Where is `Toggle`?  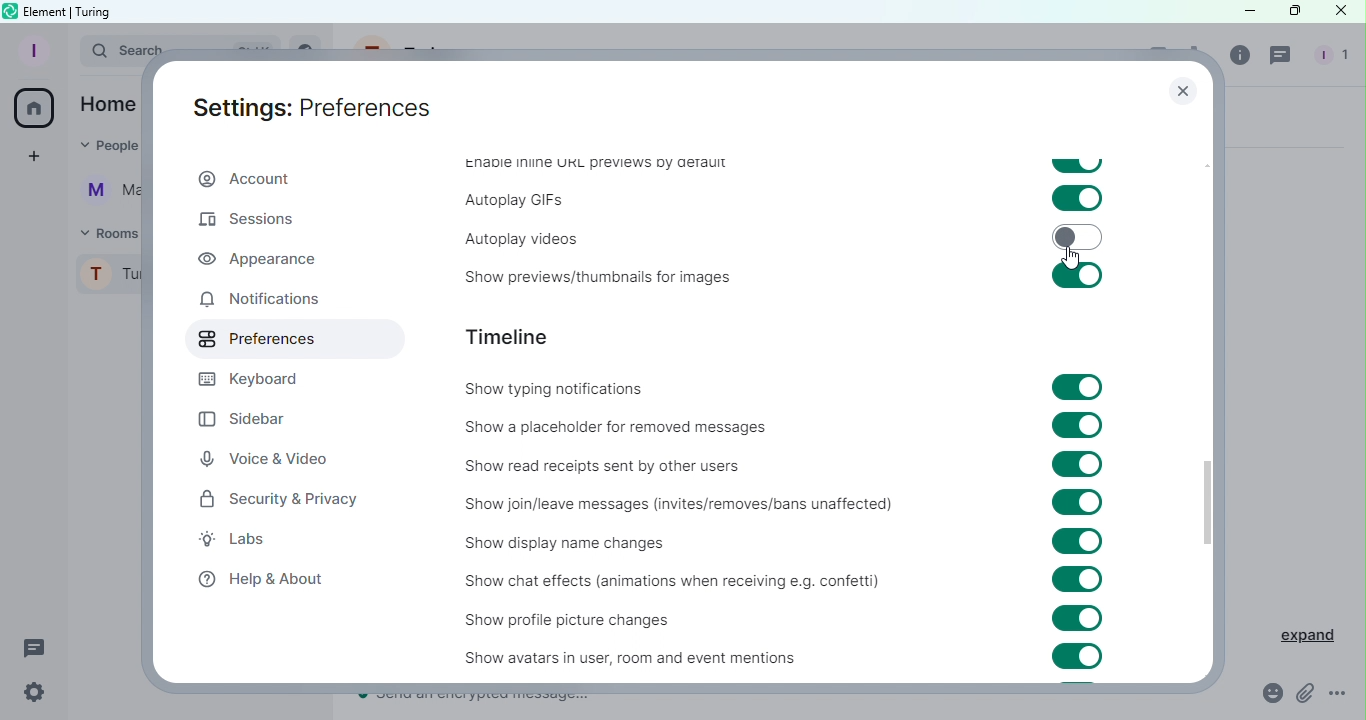 Toggle is located at coordinates (1076, 541).